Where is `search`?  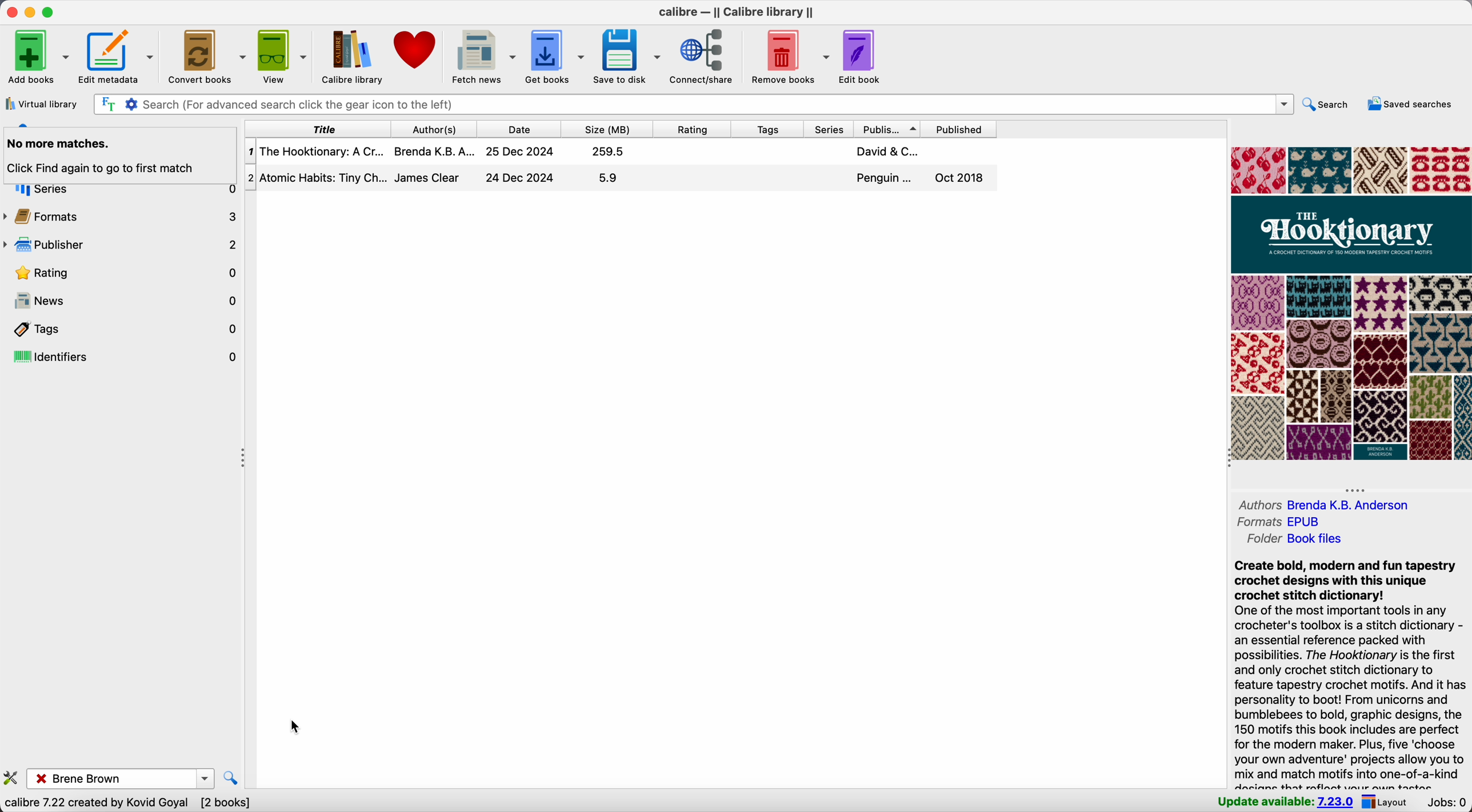
search is located at coordinates (1327, 105).